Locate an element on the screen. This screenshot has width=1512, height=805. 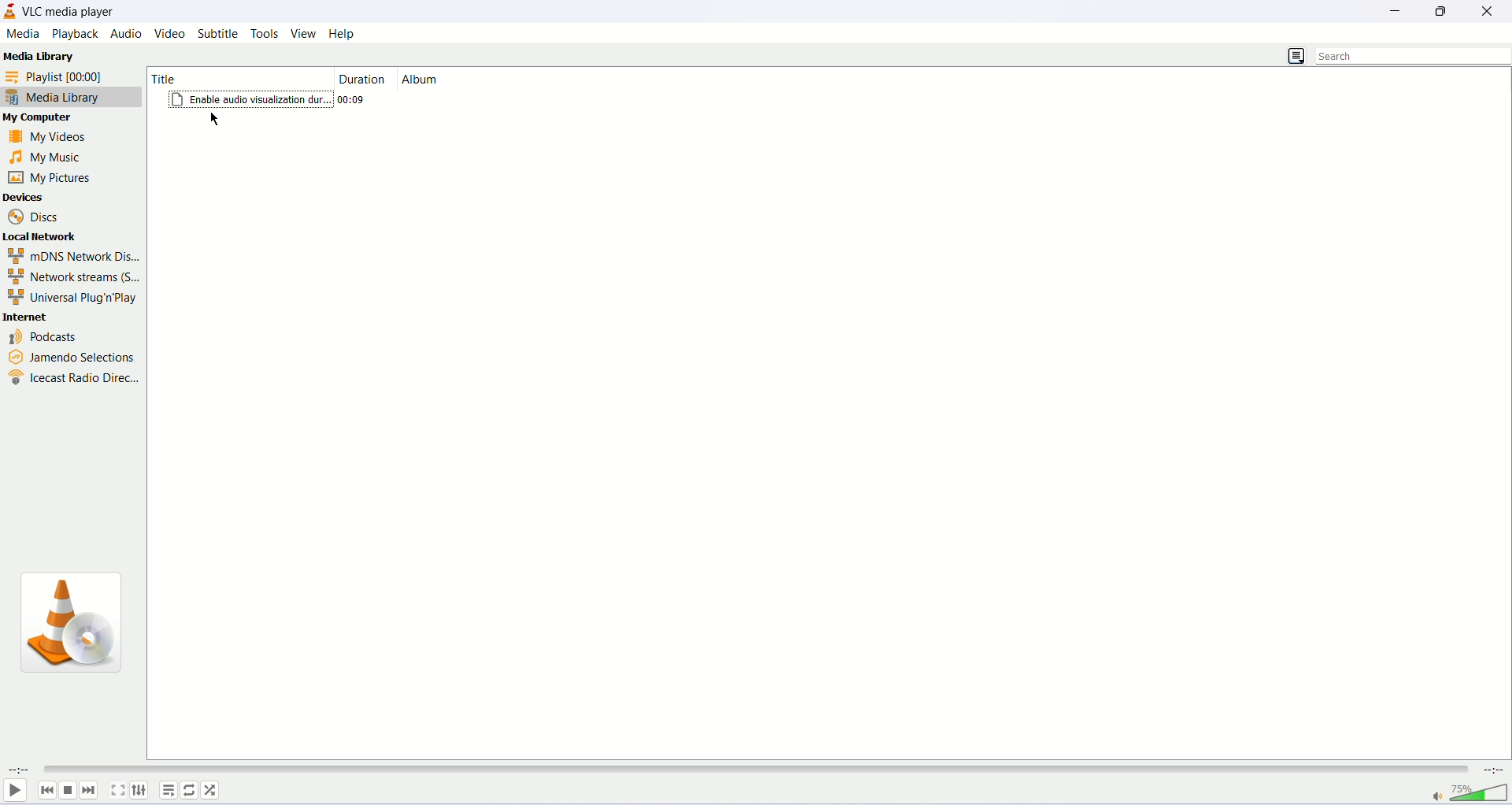
previous is located at coordinates (47, 790).